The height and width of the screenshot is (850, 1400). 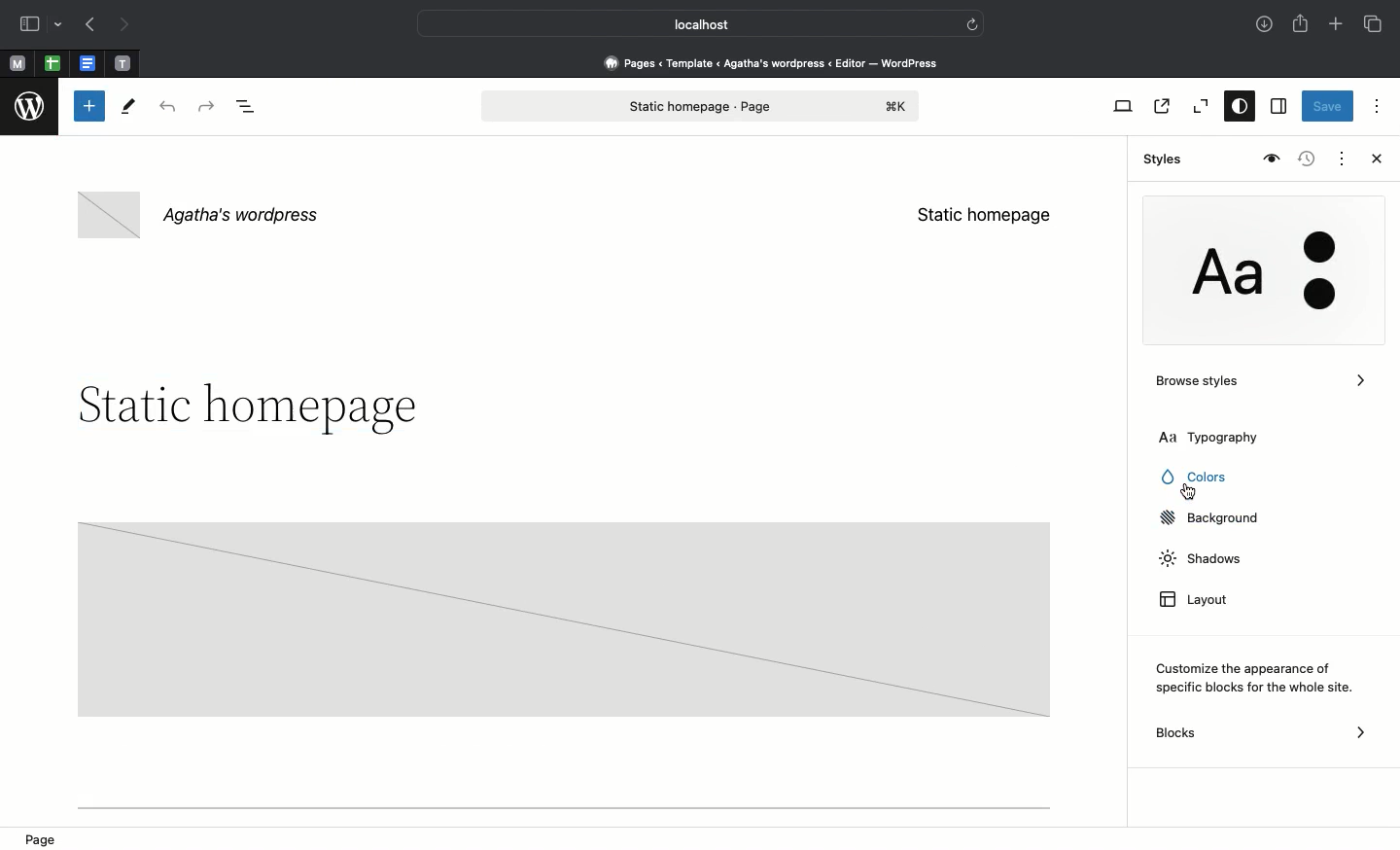 I want to click on Styles, so click(x=1235, y=108).